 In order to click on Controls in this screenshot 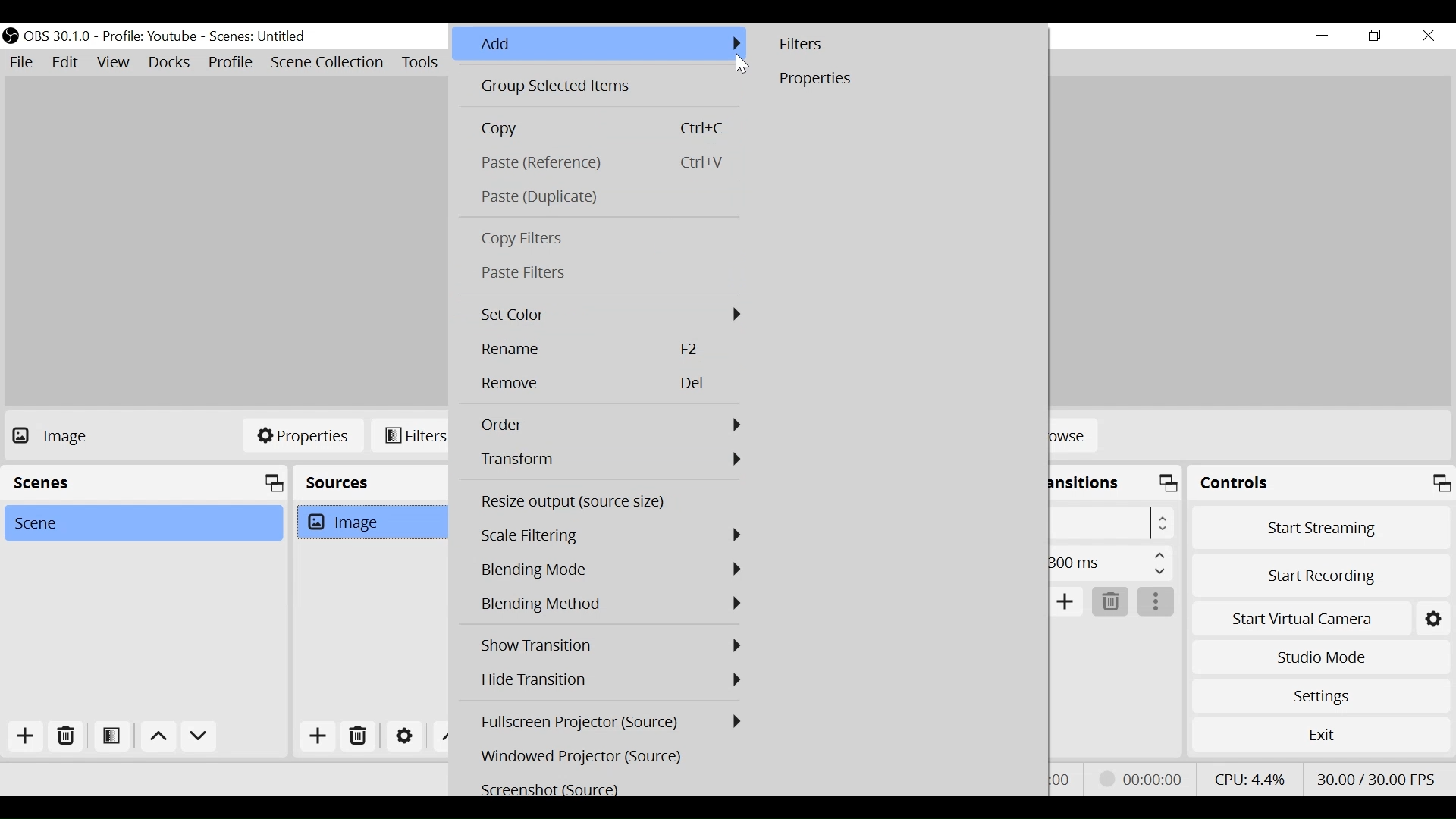, I will do `click(1323, 482)`.